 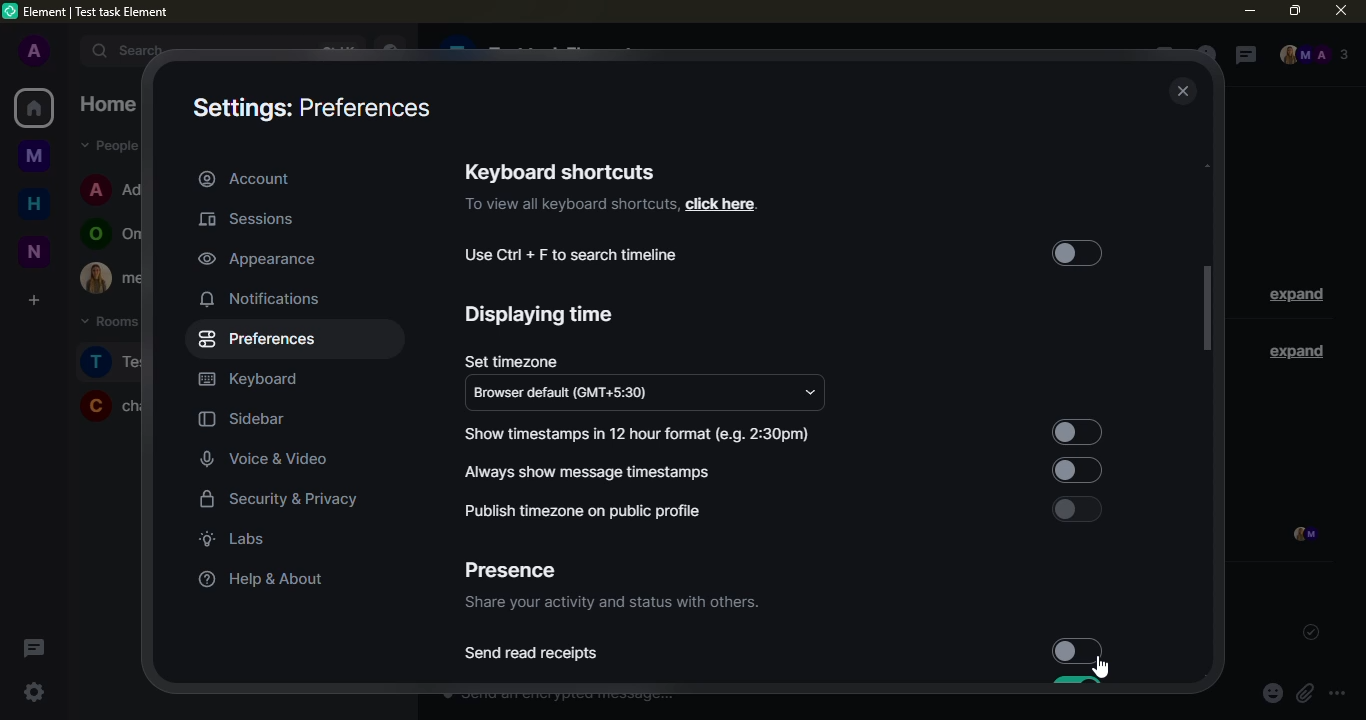 I want to click on cursor, so click(x=1103, y=668).